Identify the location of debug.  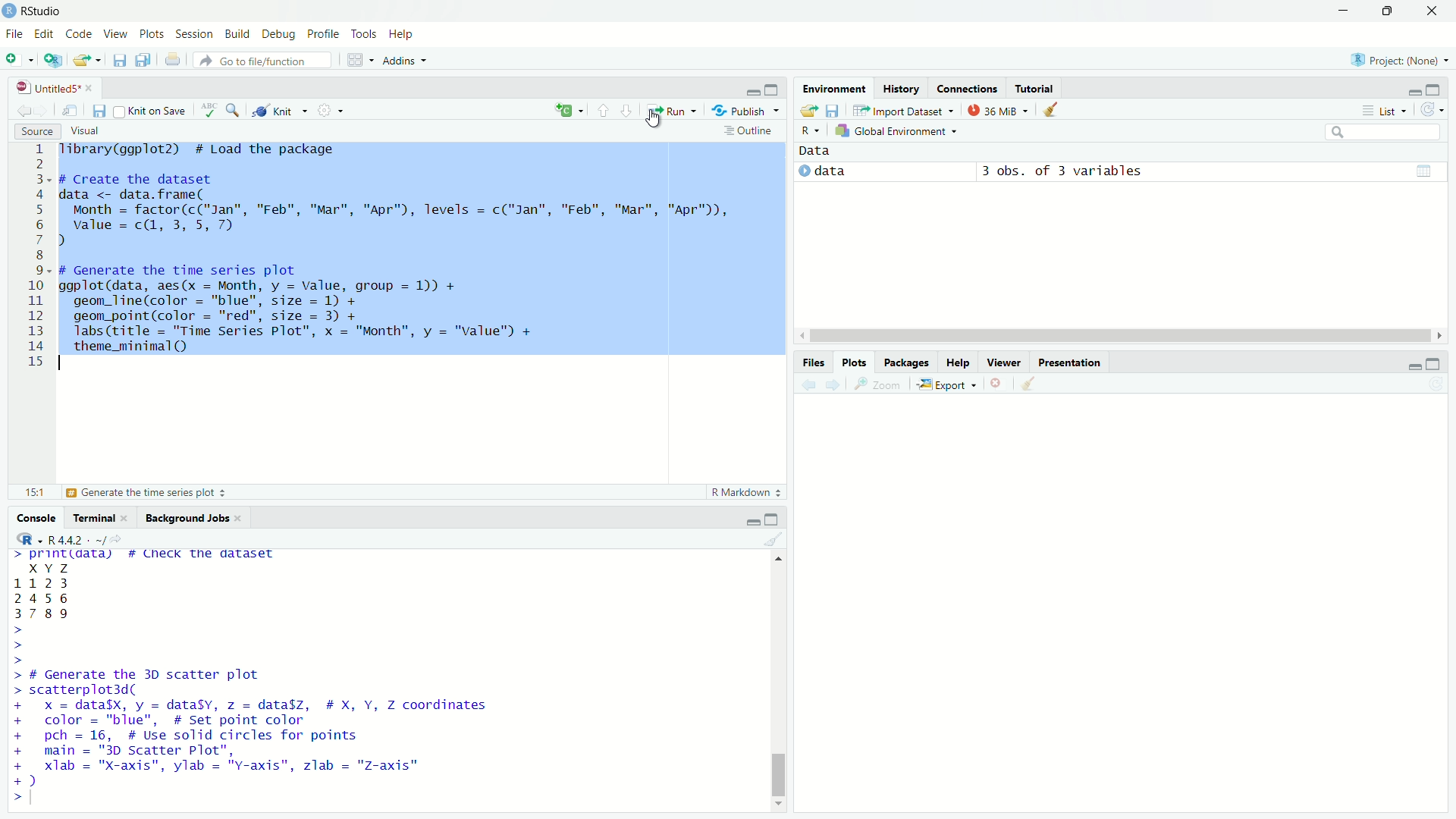
(280, 34).